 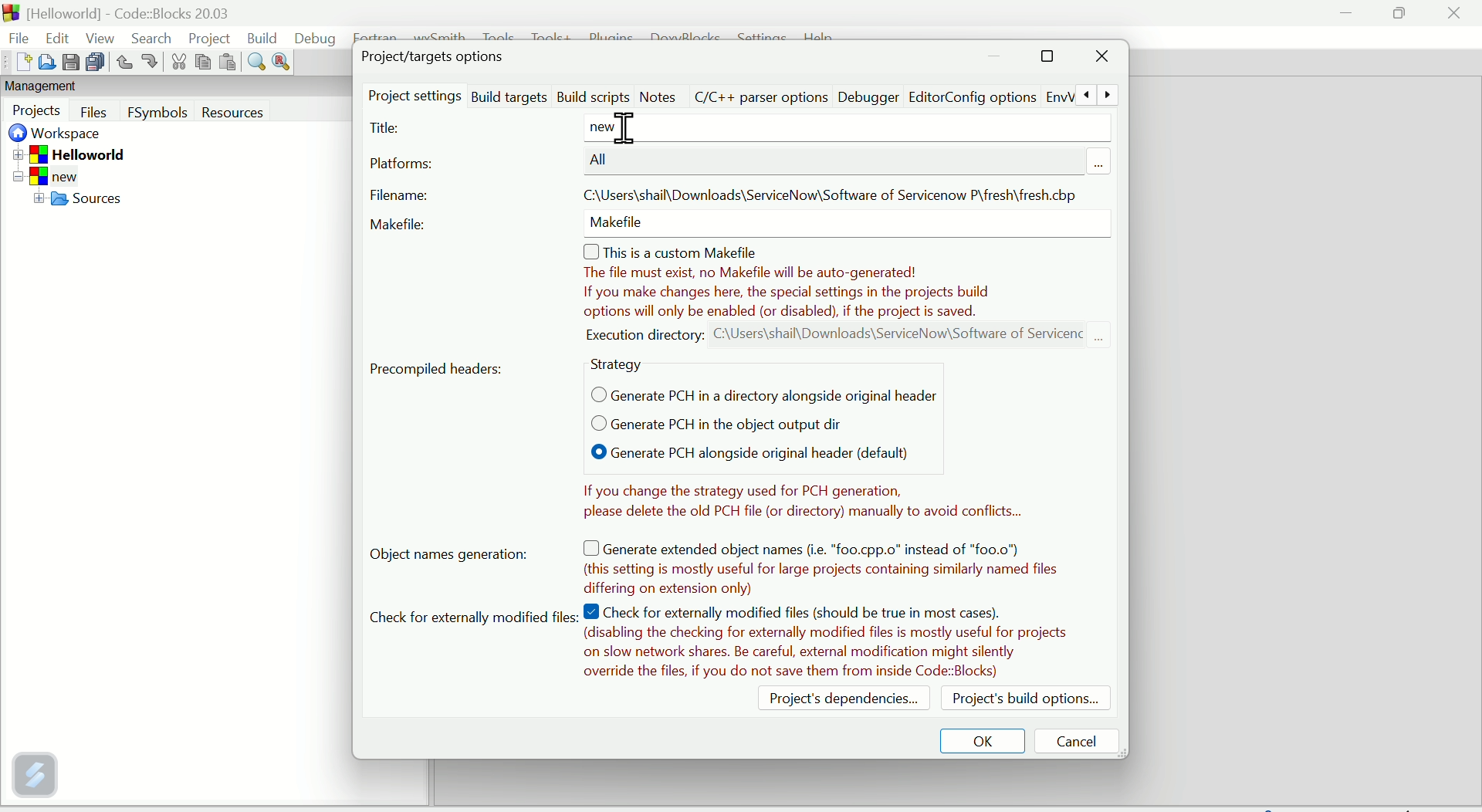 What do you see at coordinates (255, 64) in the screenshot?
I see `Find` at bounding box center [255, 64].